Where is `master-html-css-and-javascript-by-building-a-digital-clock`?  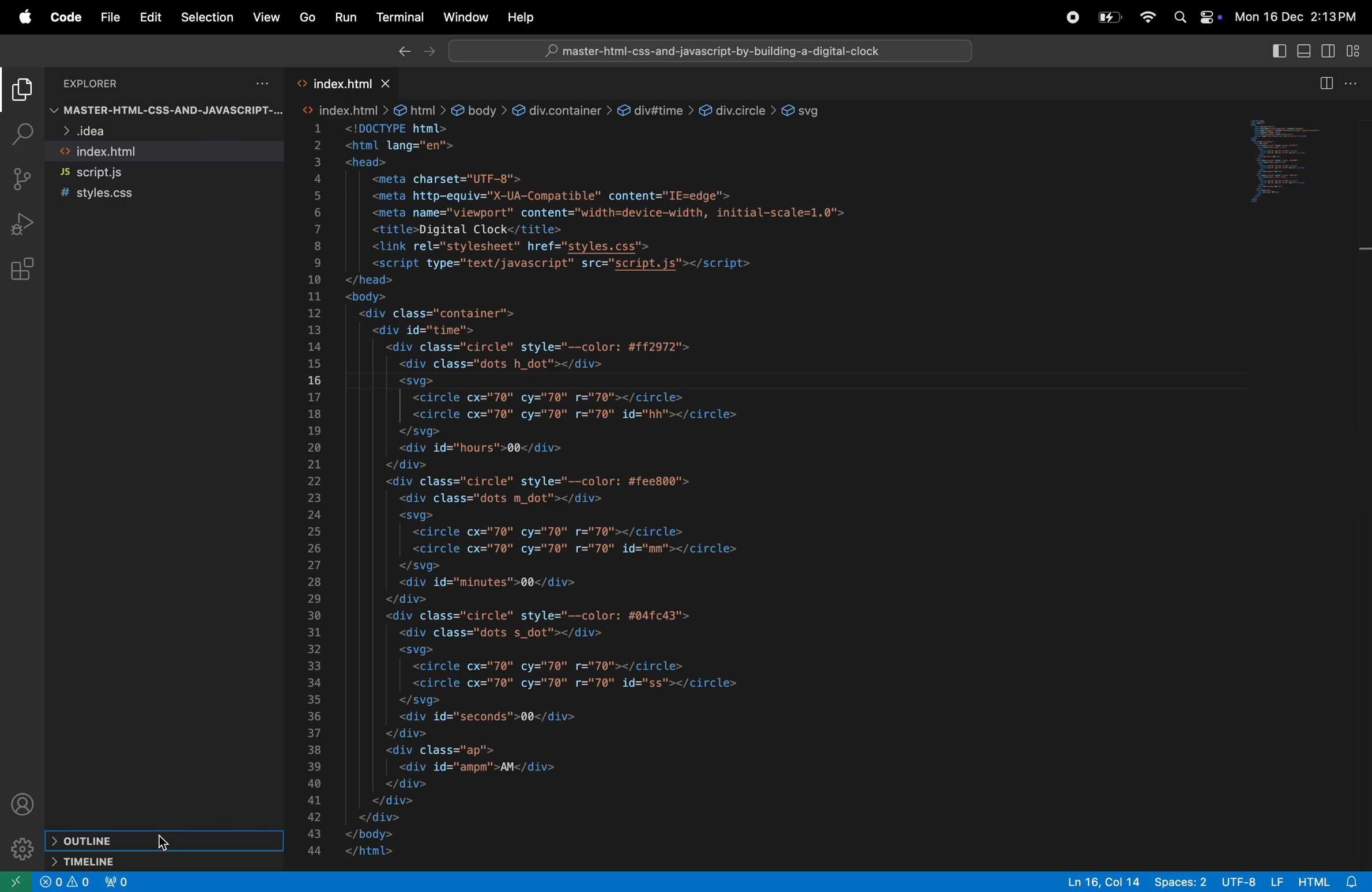 master-html-css-and-javascript-by-building-a-digital-clock is located at coordinates (722, 51).